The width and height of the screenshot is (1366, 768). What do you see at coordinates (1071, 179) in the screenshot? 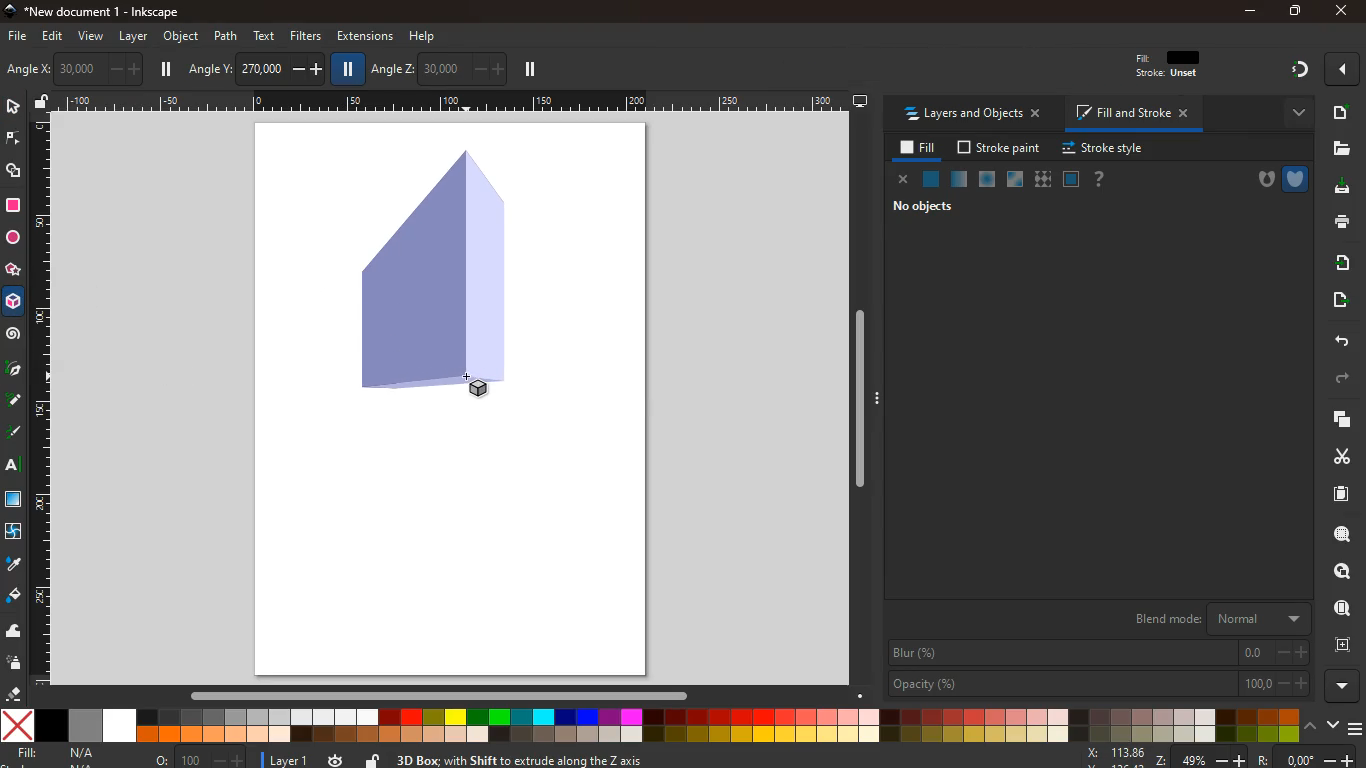
I see `frame` at bounding box center [1071, 179].